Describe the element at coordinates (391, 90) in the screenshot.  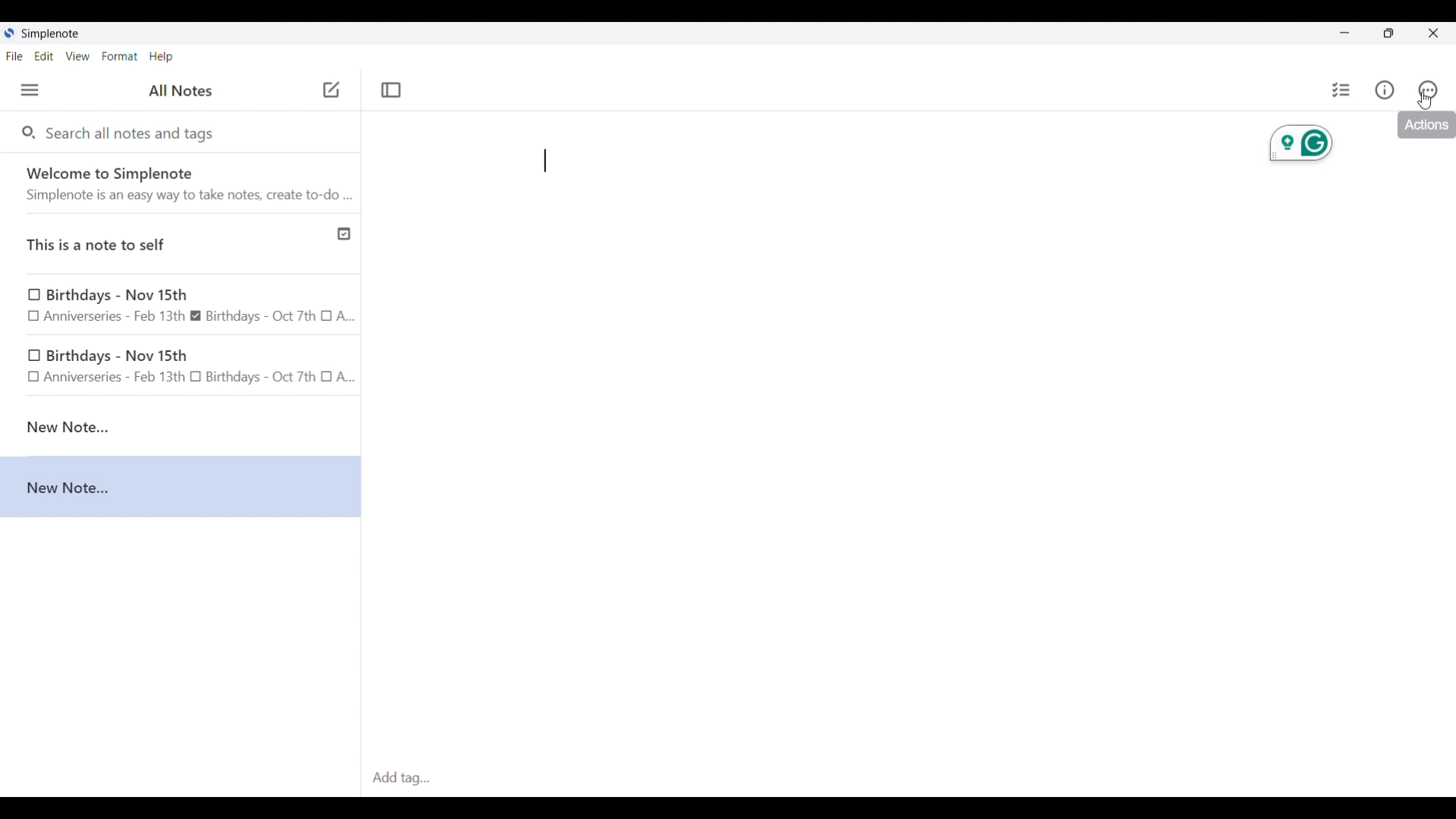
I see `Toggle focus mode` at that location.